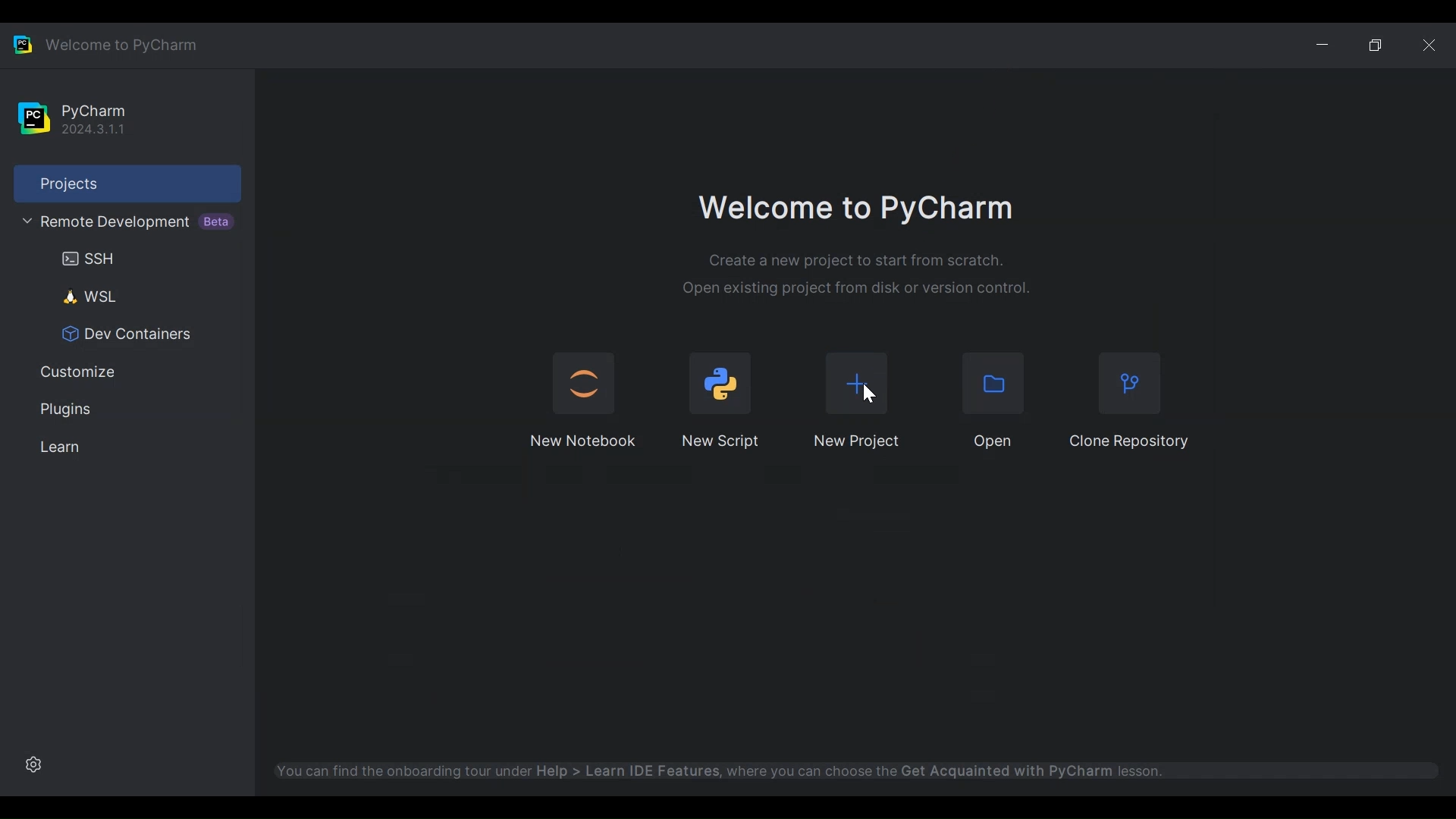 The height and width of the screenshot is (819, 1456). Describe the element at coordinates (857, 261) in the screenshot. I see `Create a new project from scratch` at that location.